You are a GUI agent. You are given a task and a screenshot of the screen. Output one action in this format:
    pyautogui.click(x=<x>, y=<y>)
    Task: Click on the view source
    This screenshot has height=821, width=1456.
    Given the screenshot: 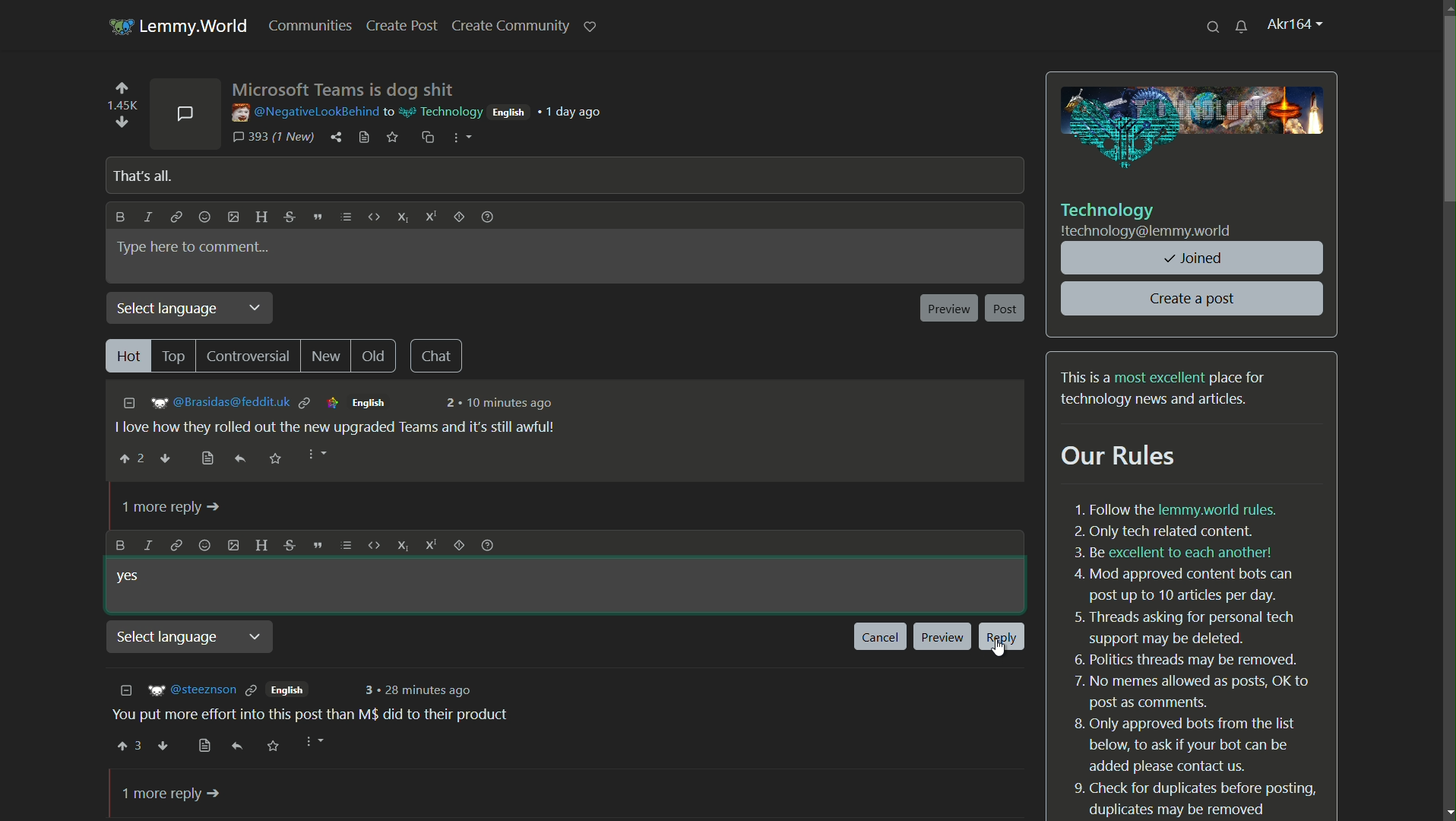 What is the action you would take?
    pyautogui.click(x=363, y=138)
    